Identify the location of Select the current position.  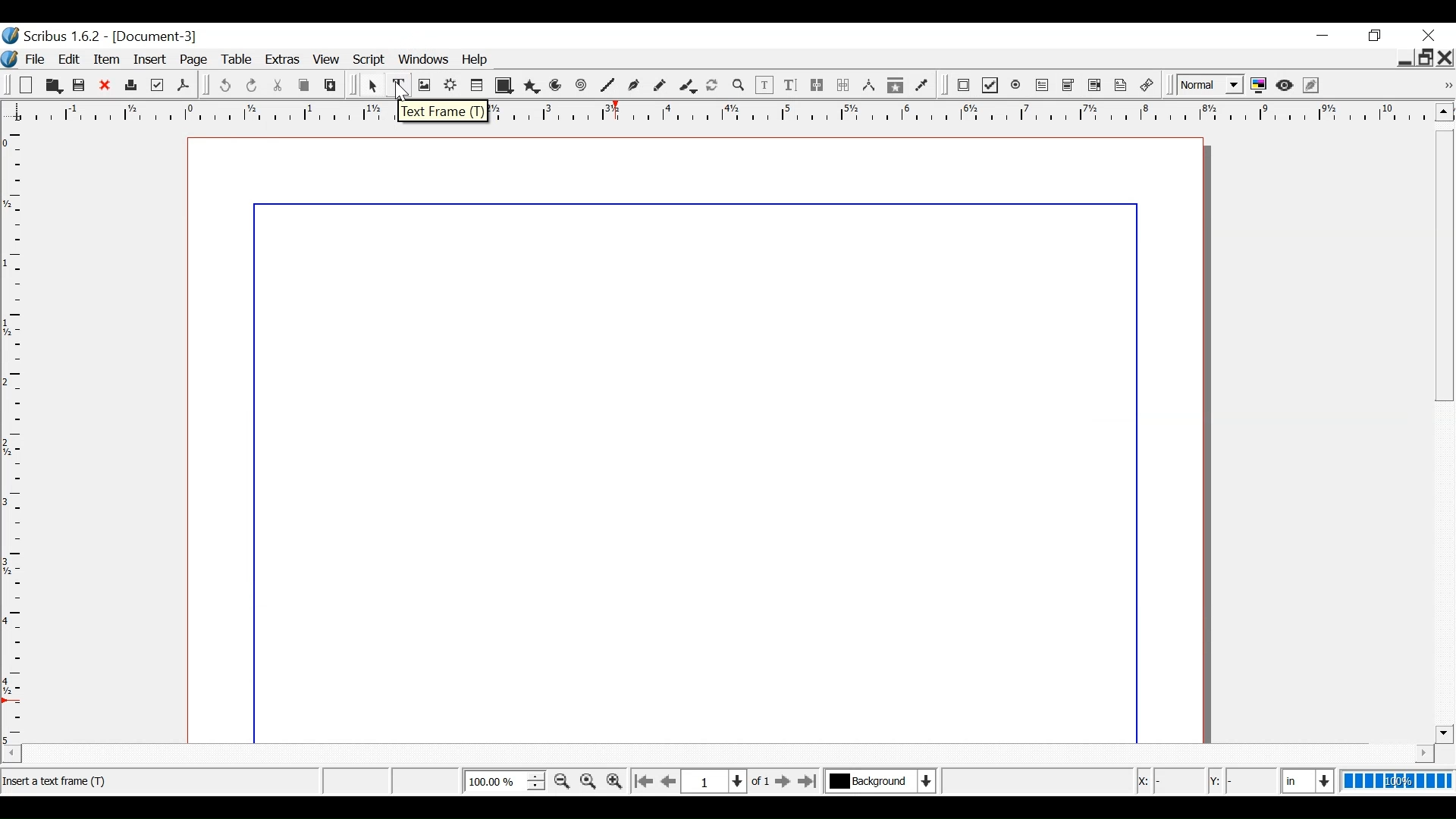
(716, 780).